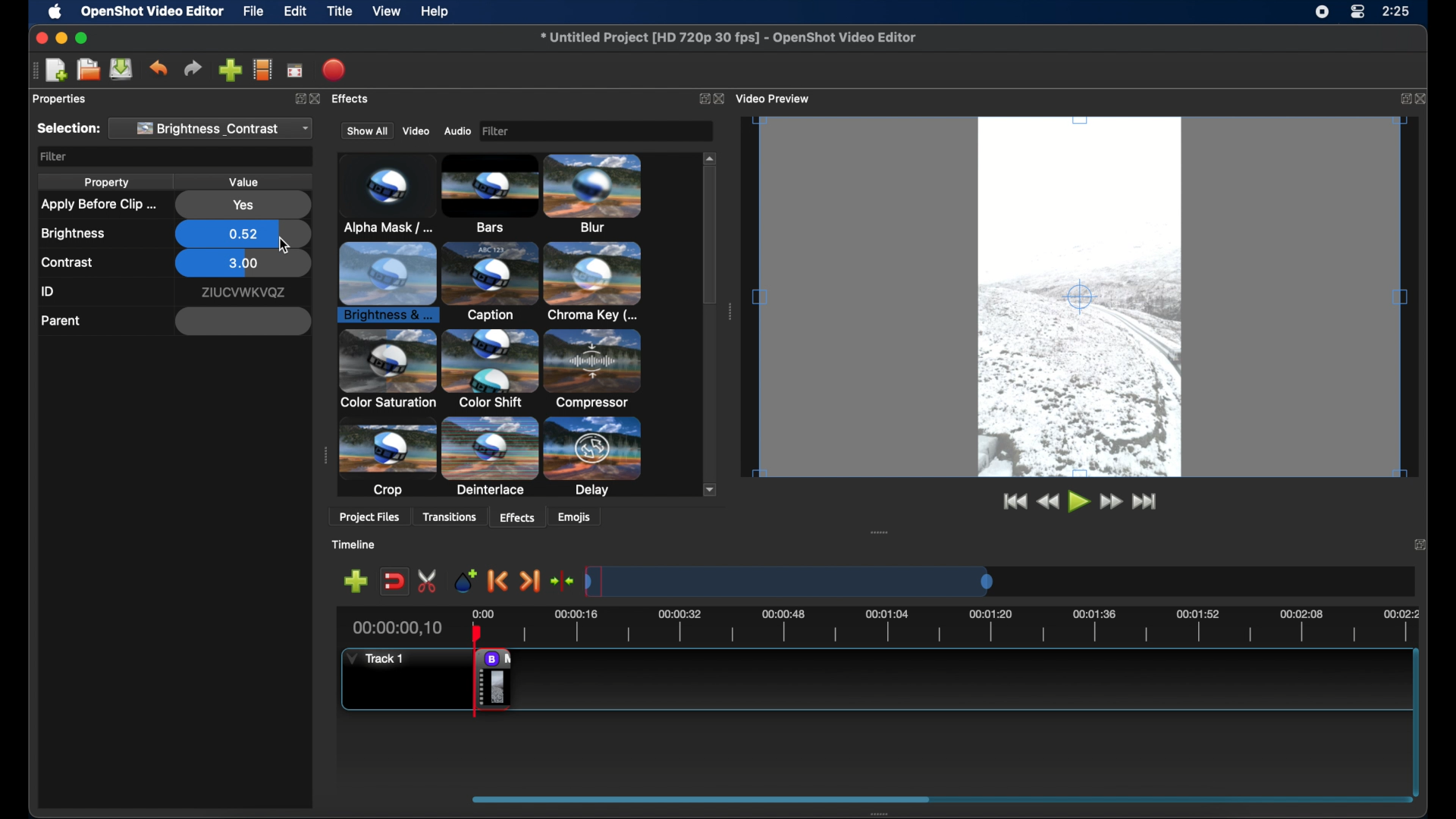  I want to click on scroll down arrow, so click(706, 488).